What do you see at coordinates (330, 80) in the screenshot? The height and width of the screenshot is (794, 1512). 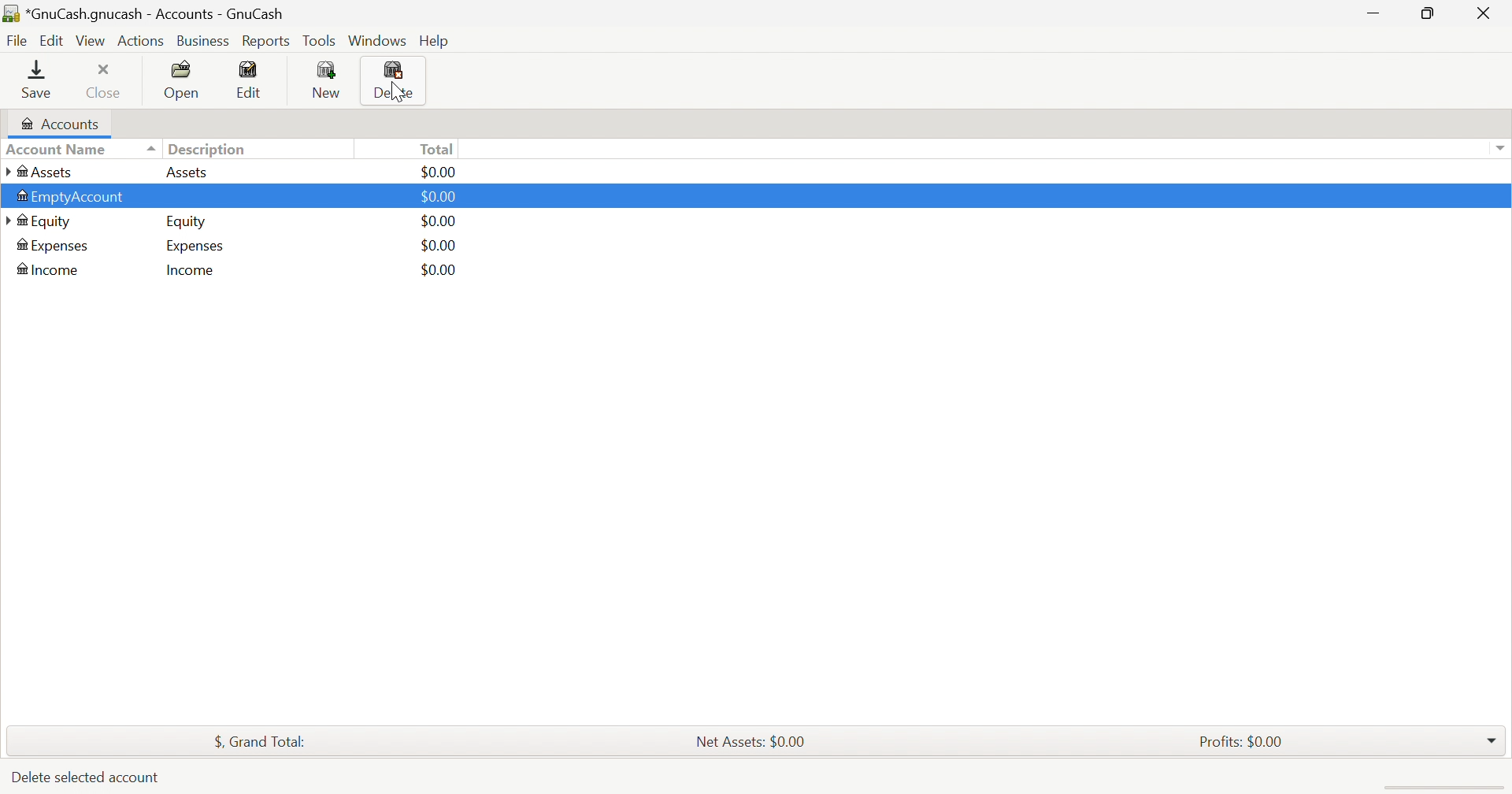 I see `New` at bounding box center [330, 80].